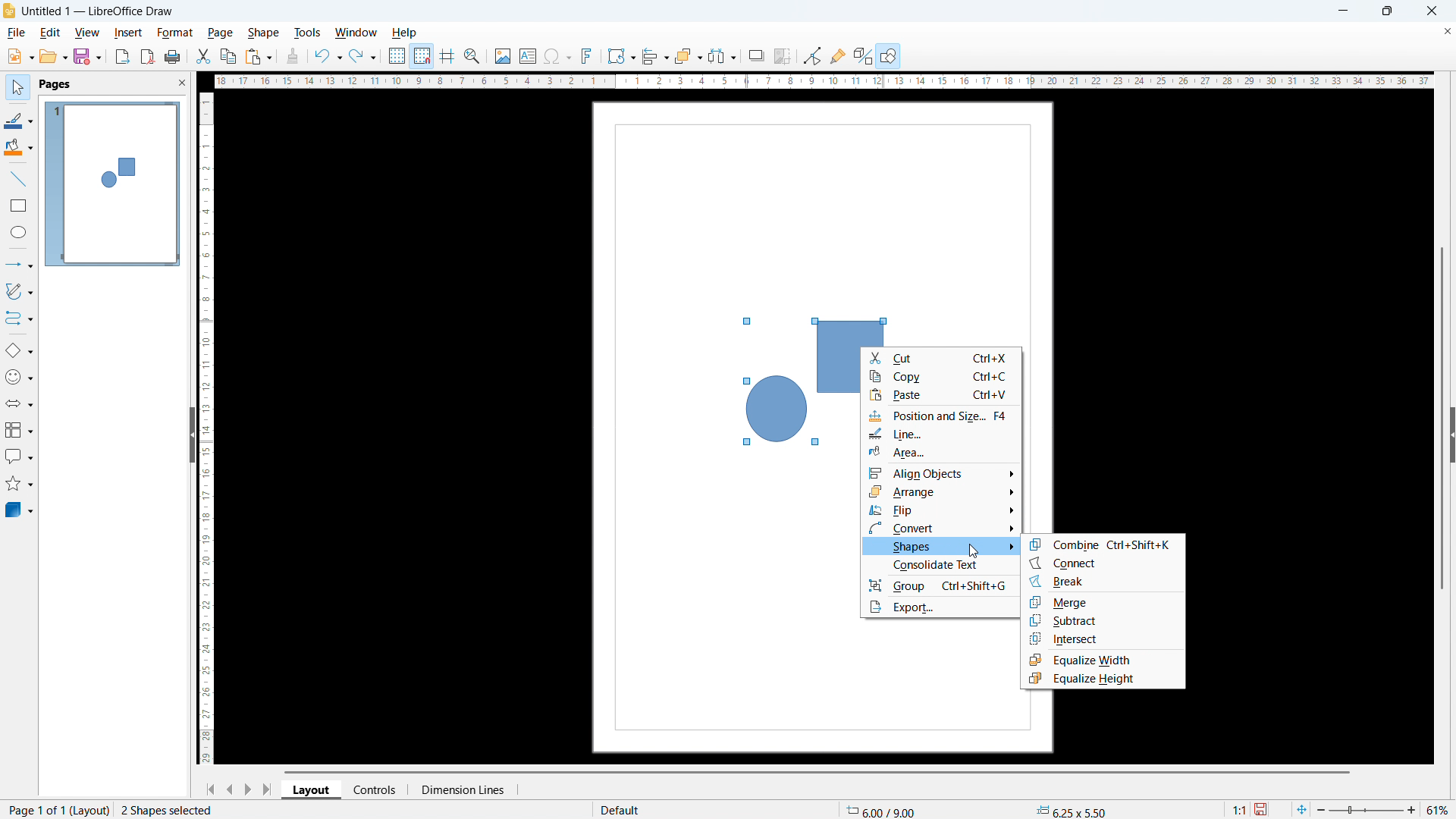 Image resolution: width=1456 pixels, height=819 pixels. Describe the element at coordinates (784, 55) in the screenshot. I see `crop image` at that location.